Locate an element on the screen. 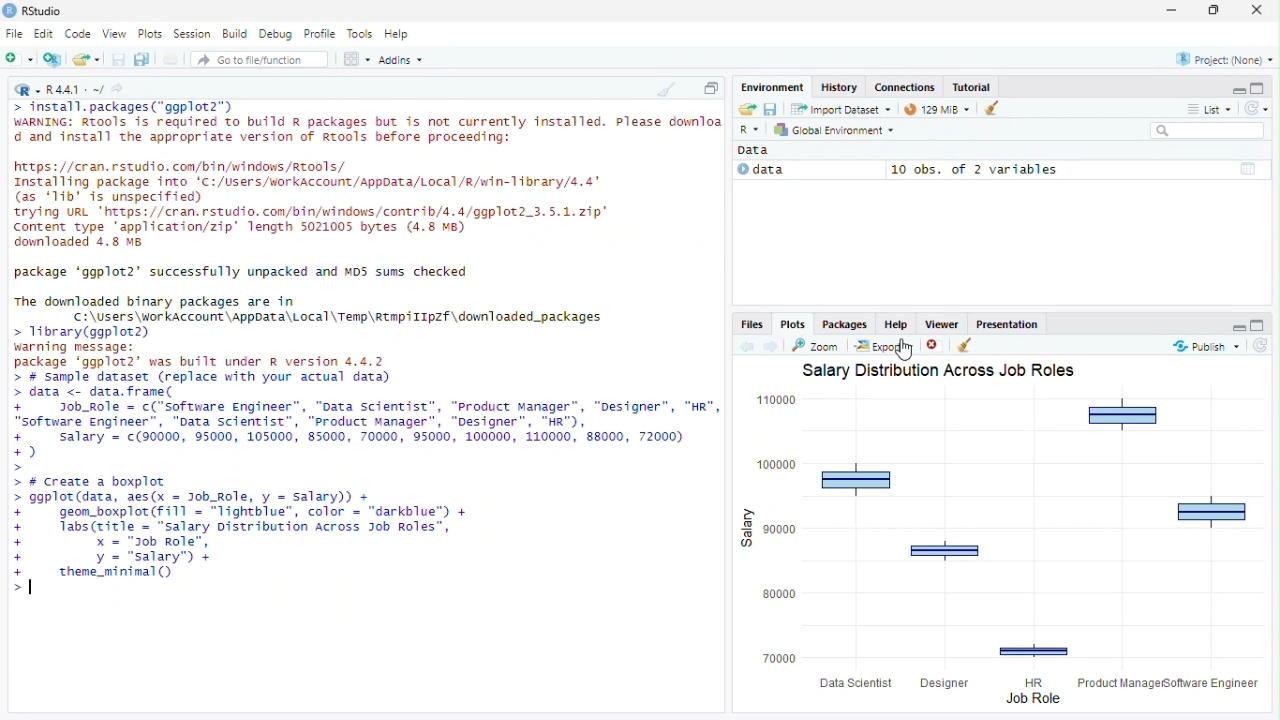 The height and width of the screenshot is (720, 1280). project selector is located at coordinates (1221, 59).